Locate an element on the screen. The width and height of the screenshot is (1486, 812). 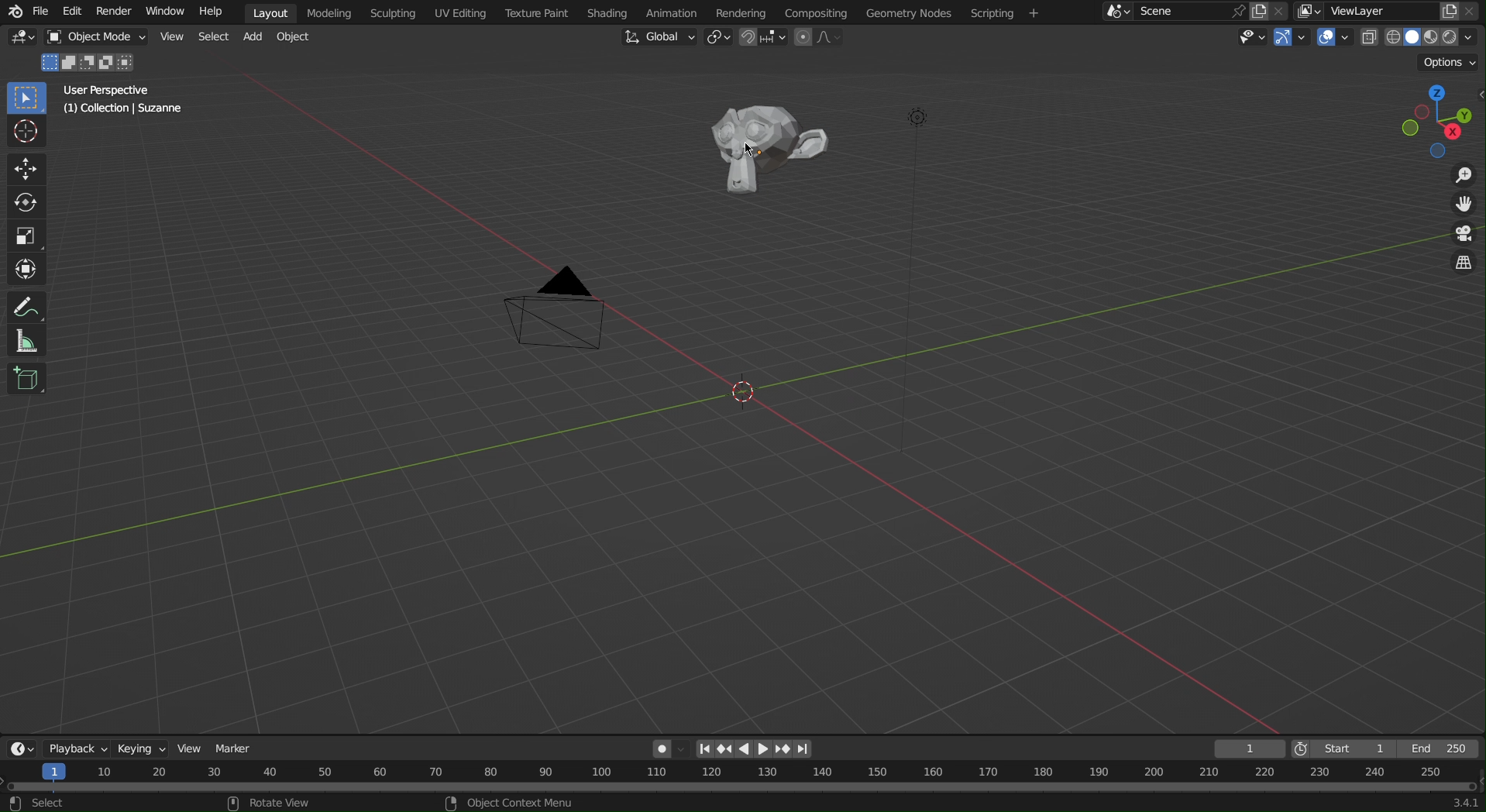
extend existing selection is located at coordinates (73, 64).